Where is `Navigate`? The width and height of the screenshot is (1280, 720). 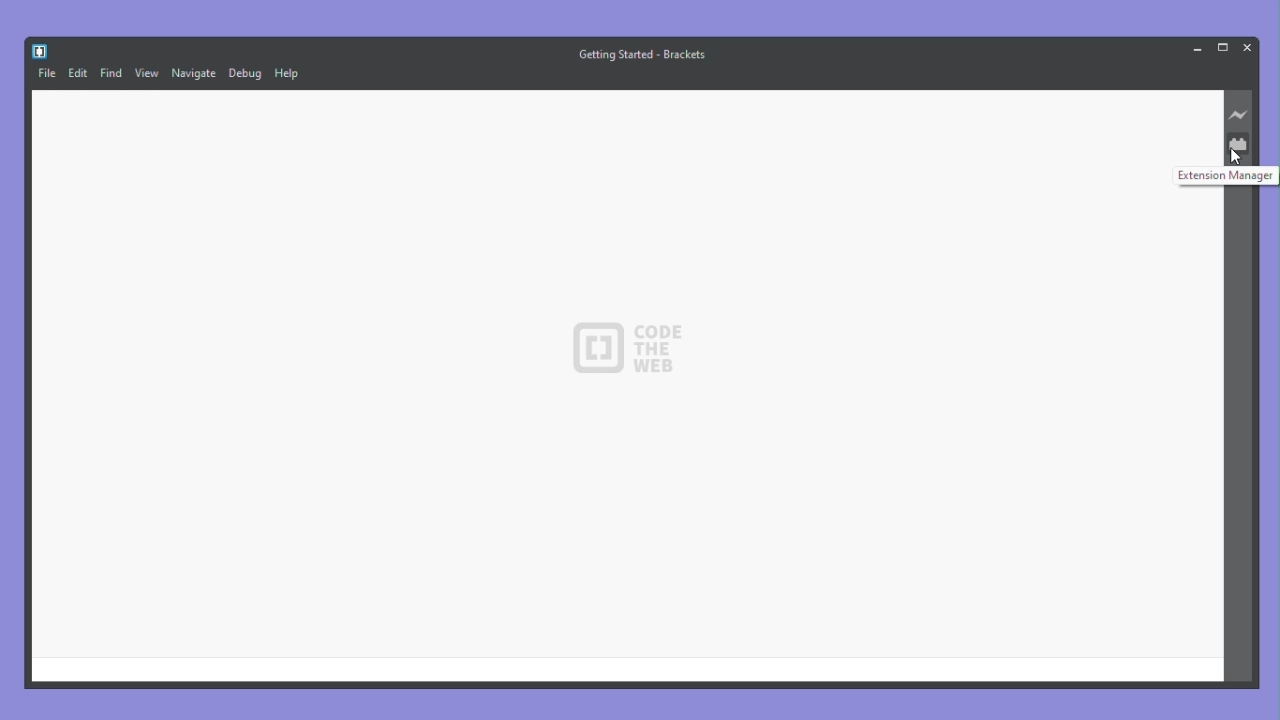
Navigate is located at coordinates (196, 74).